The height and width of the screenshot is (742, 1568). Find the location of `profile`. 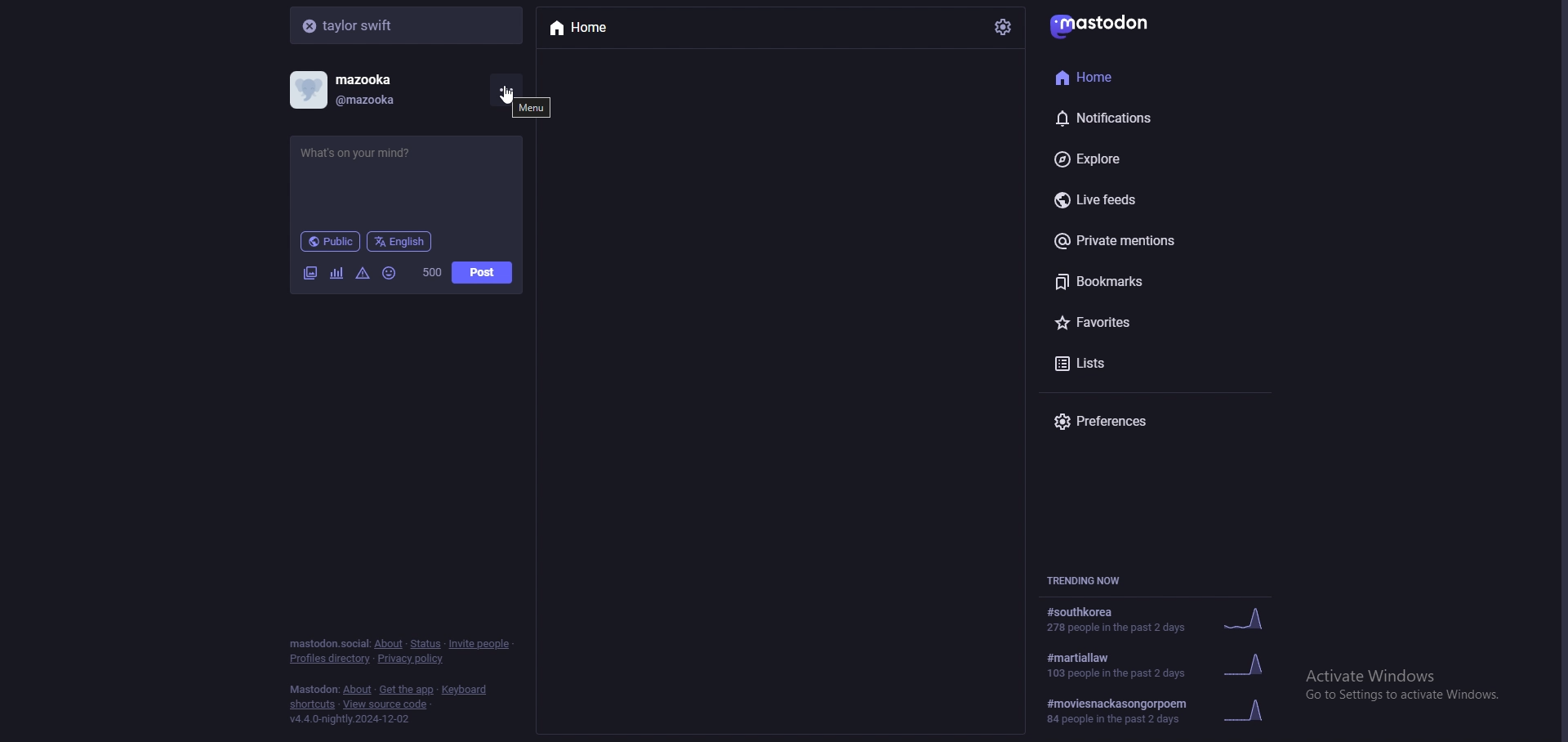

profile is located at coordinates (352, 90).